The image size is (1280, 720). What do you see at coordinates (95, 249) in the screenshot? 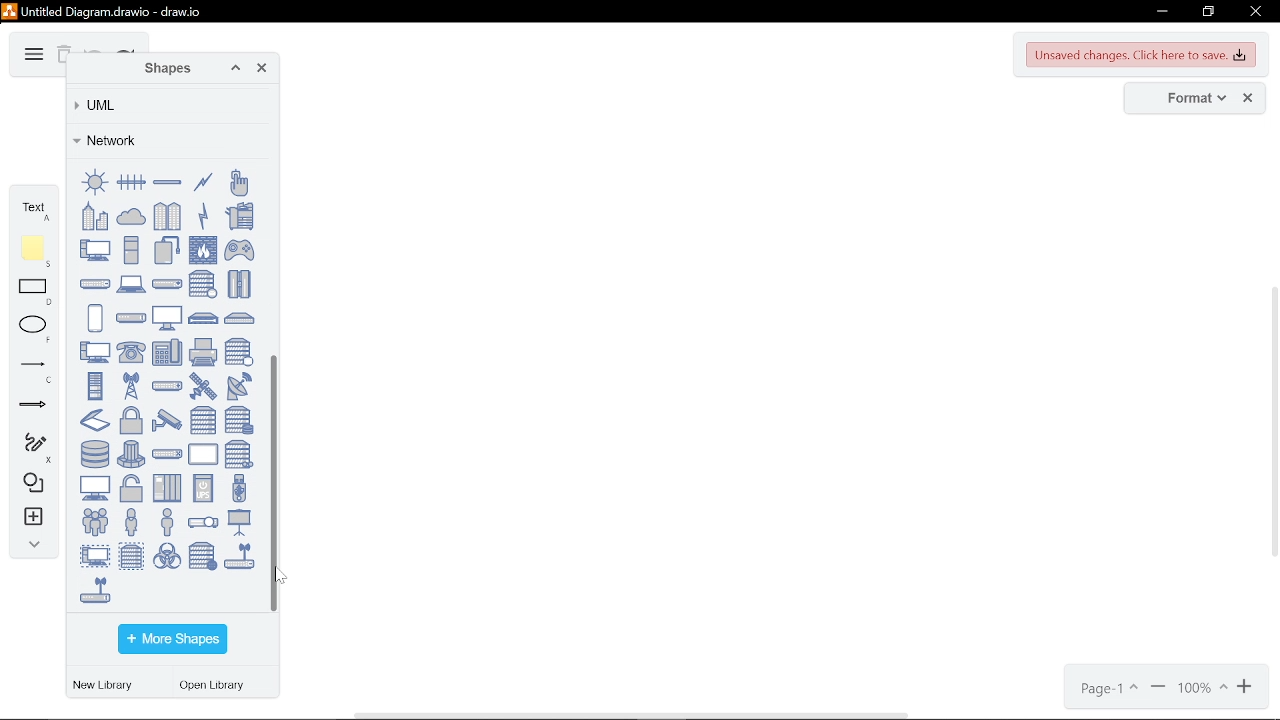
I see `PC` at bounding box center [95, 249].